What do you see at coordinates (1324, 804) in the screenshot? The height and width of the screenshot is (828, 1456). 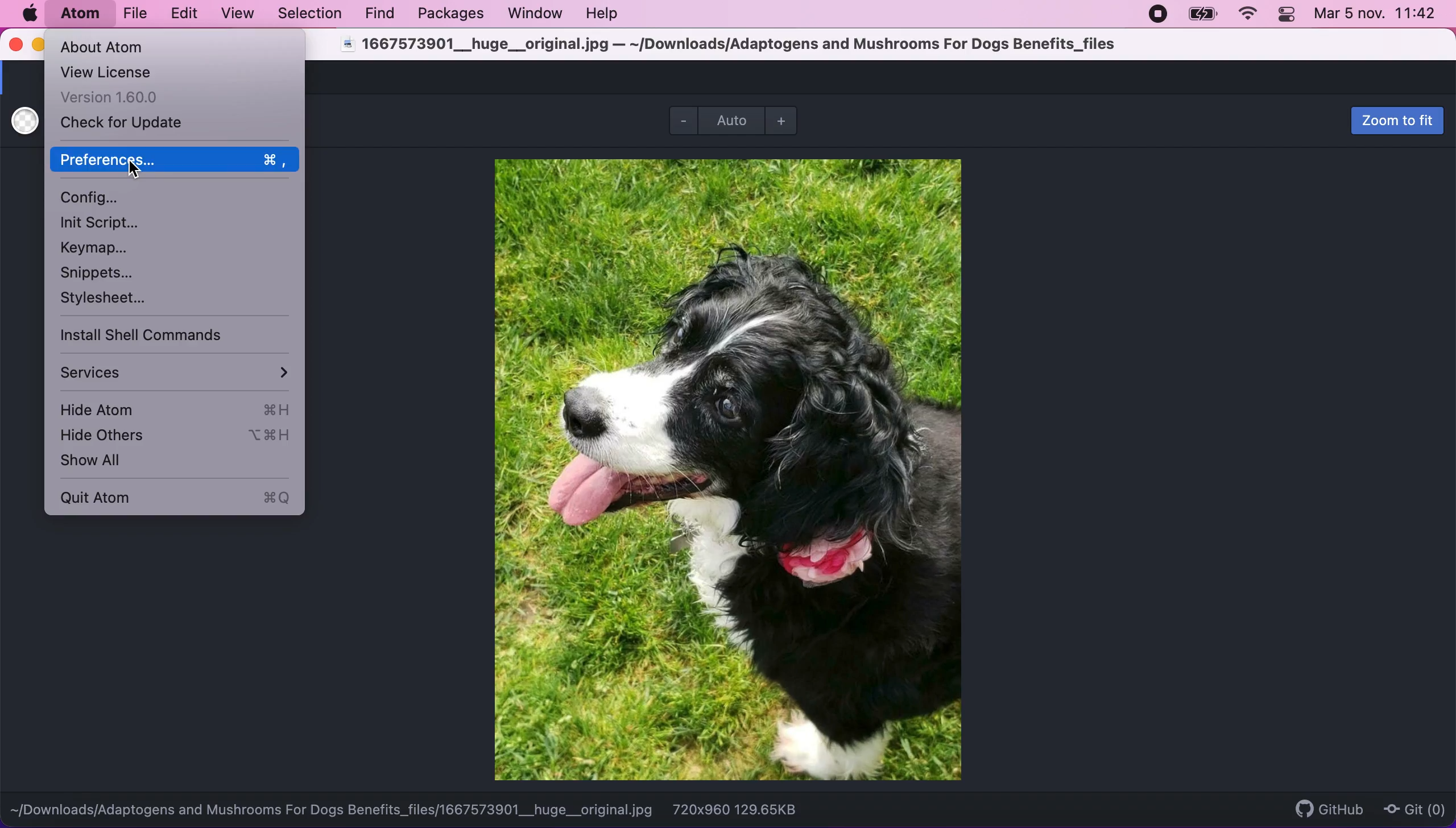 I see `github` at bounding box center [1324, 804].